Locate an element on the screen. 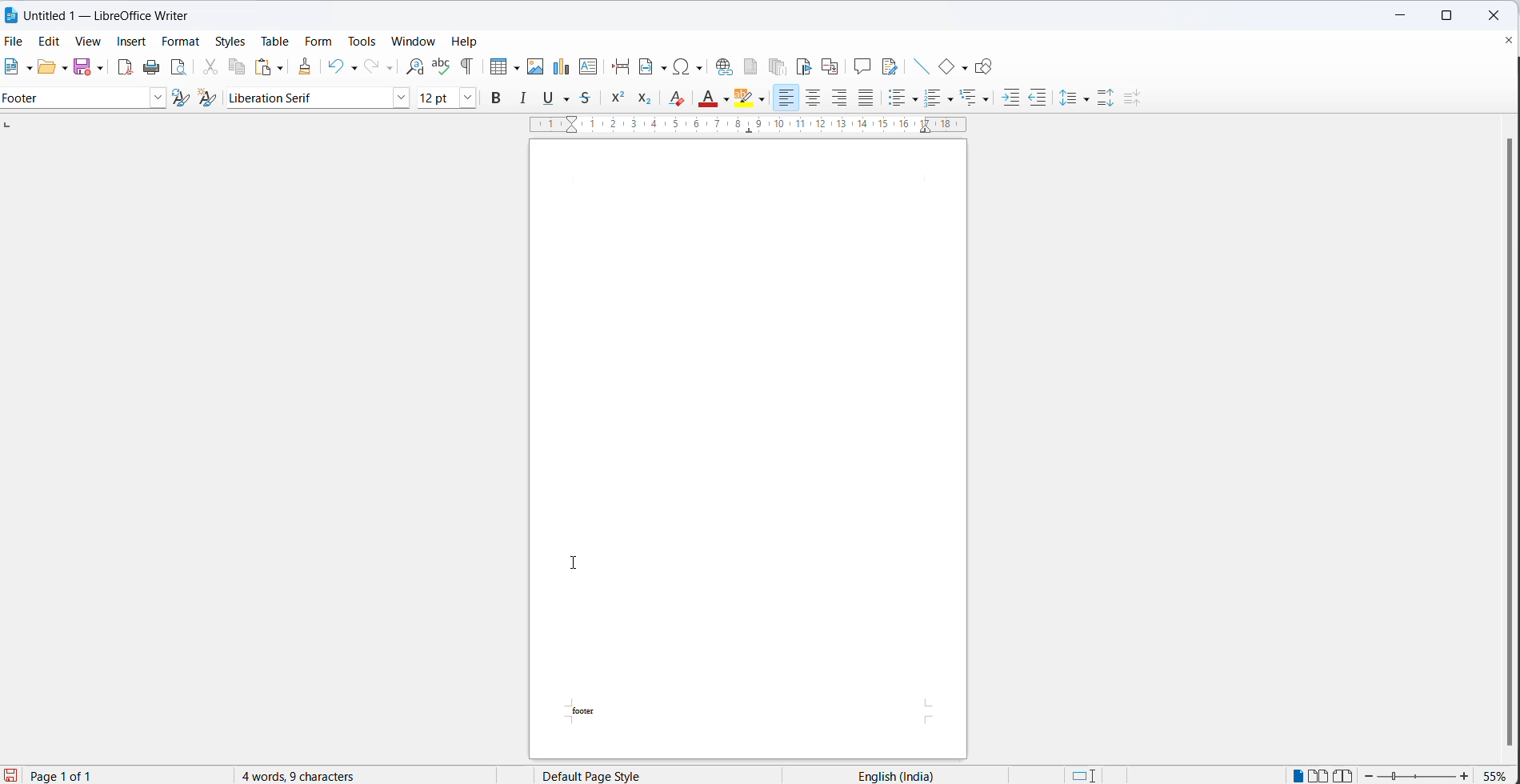  view  is located at coordinates (90, 42).